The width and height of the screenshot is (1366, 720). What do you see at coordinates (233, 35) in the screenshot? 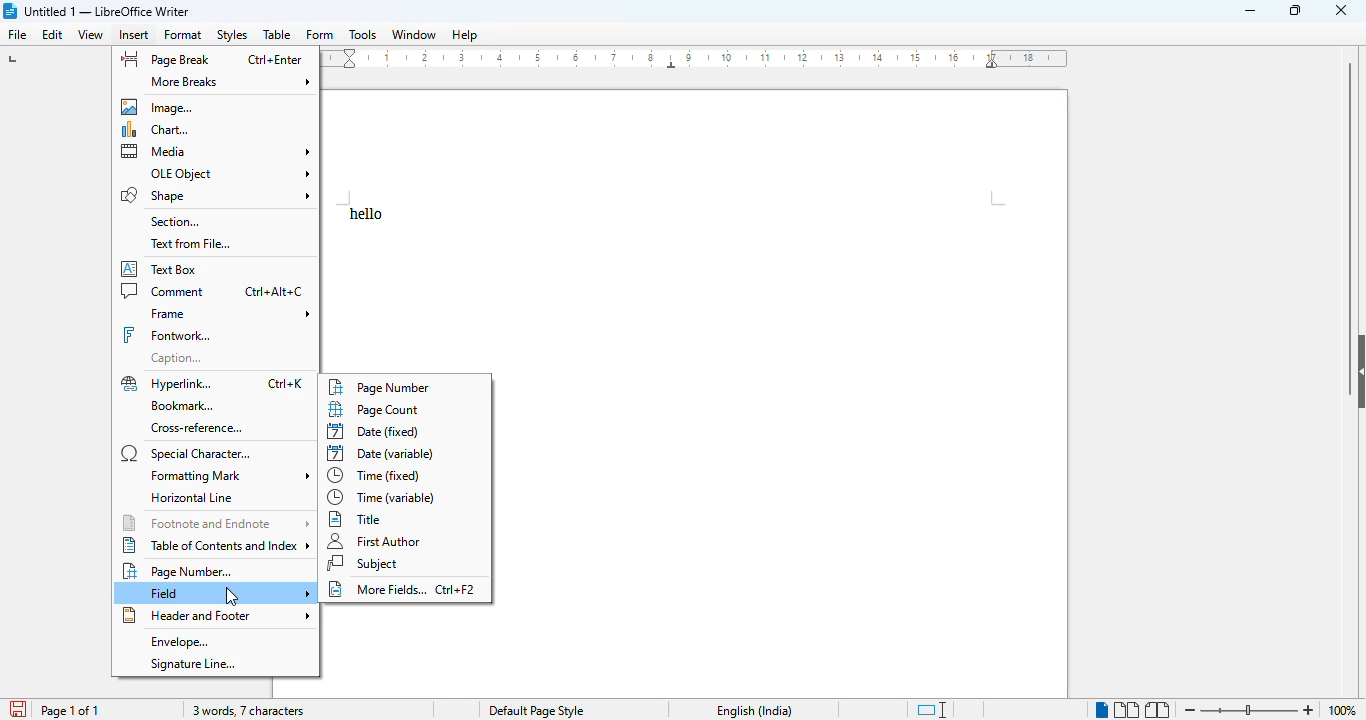
I see `styles` at bounding box center [233, 35].